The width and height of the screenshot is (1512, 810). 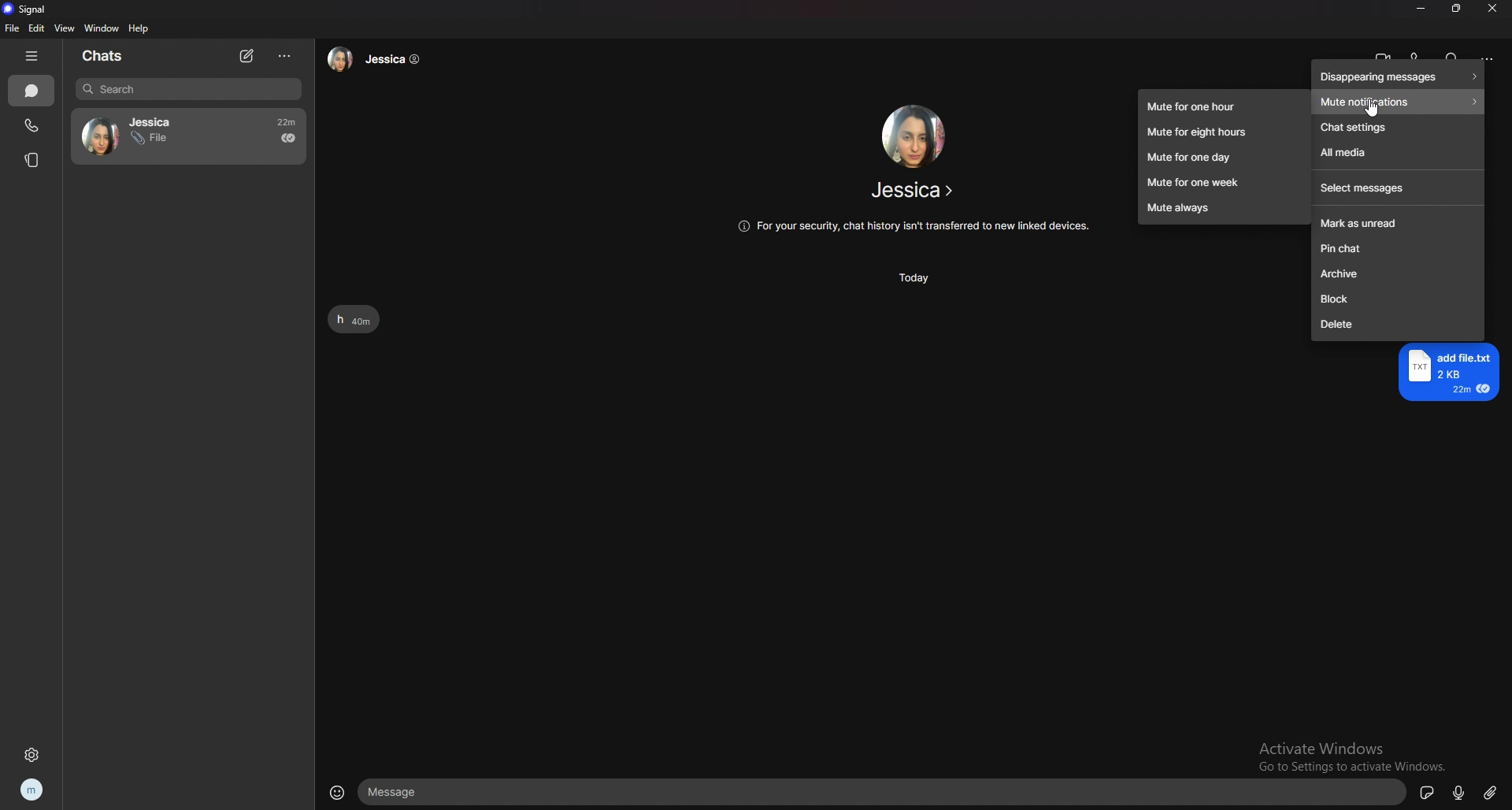 What do you see at coordinates (248, 56) in the screenshot?
I see `new chat` at bounding box center [248, 56].